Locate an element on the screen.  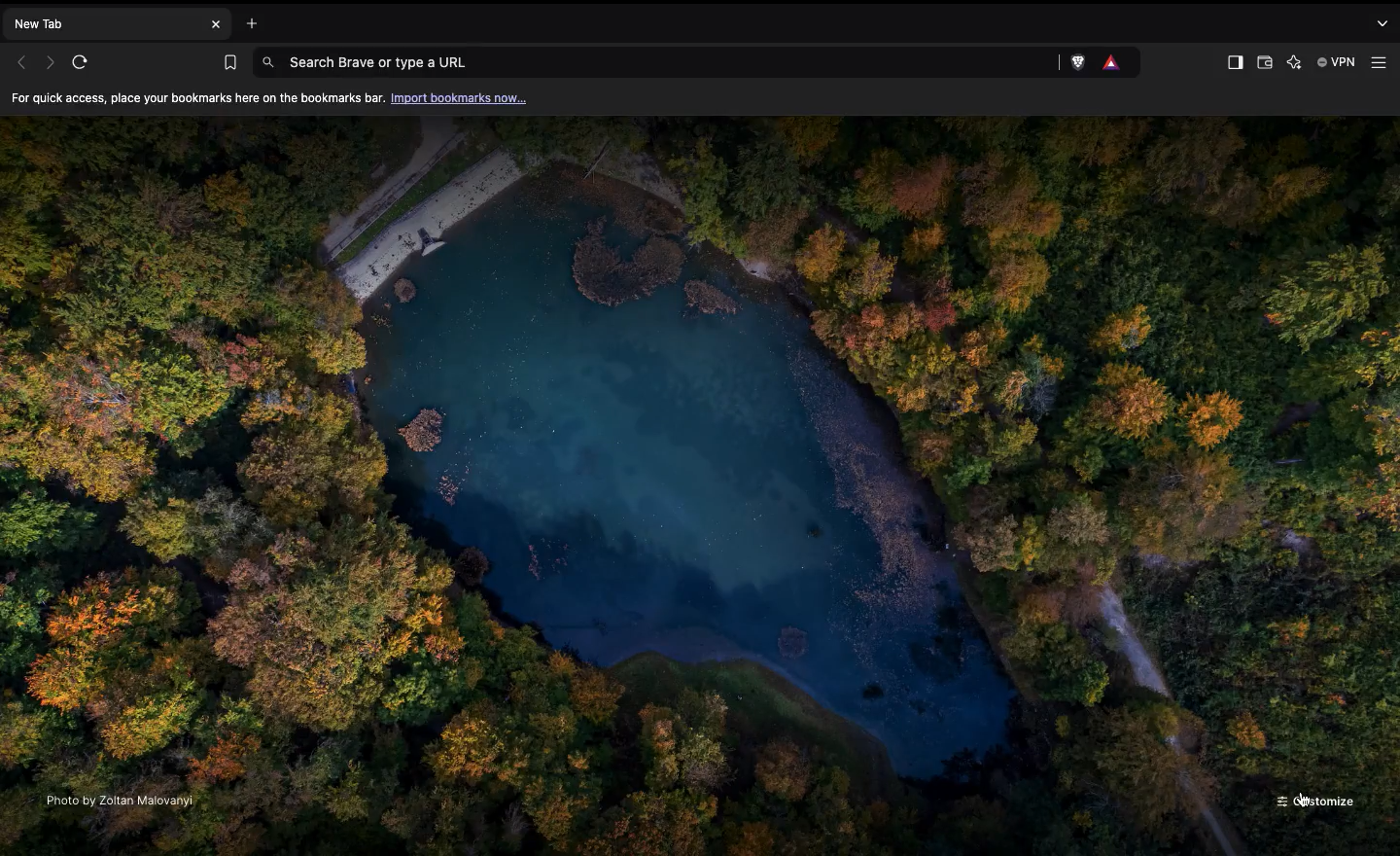
cursor is located at coordinates (1304, 800).